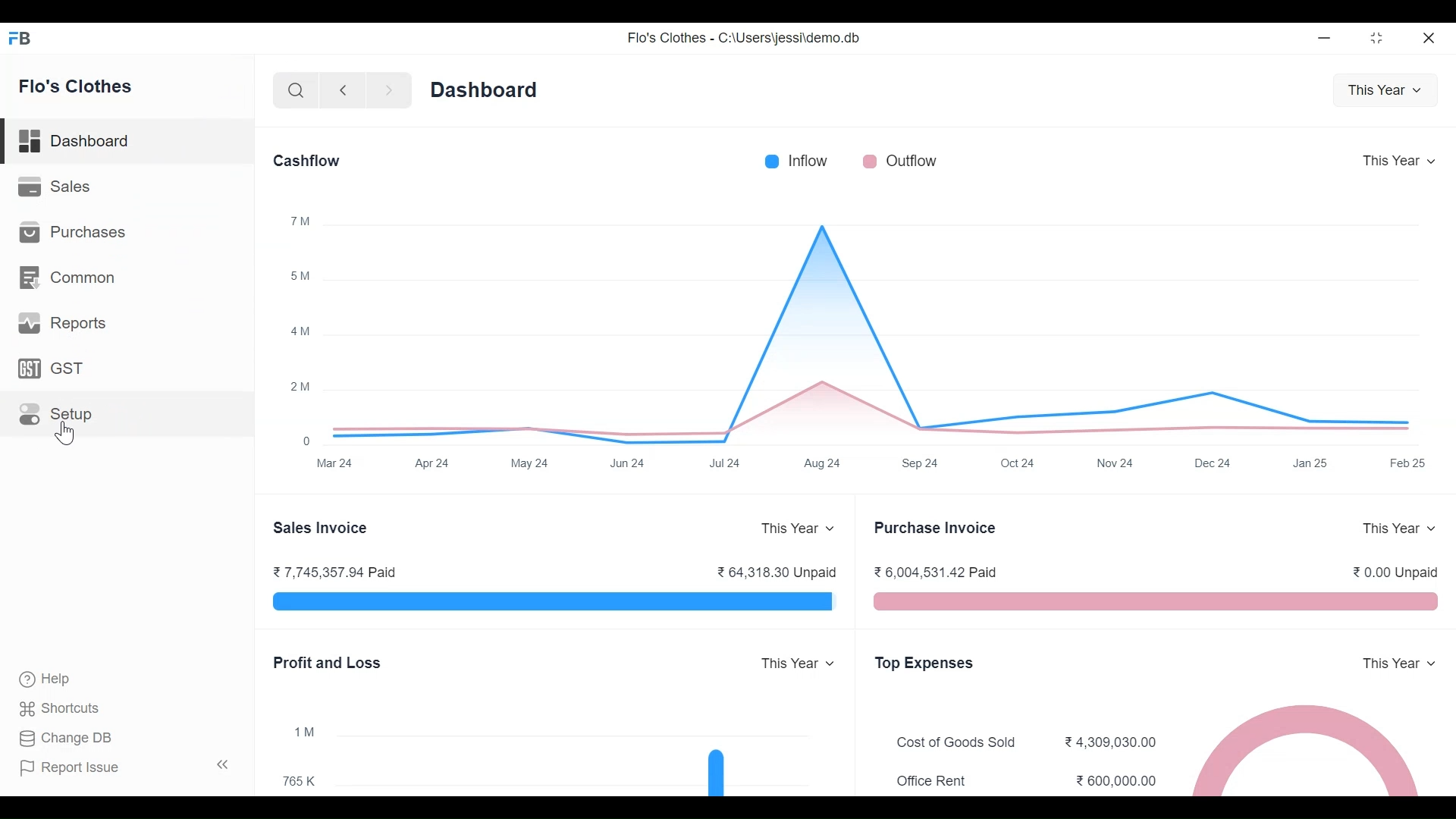  What do you see at coordinates (66, 737) in the screenshot?
I see `Change DB` at bounding box center [66, 737].